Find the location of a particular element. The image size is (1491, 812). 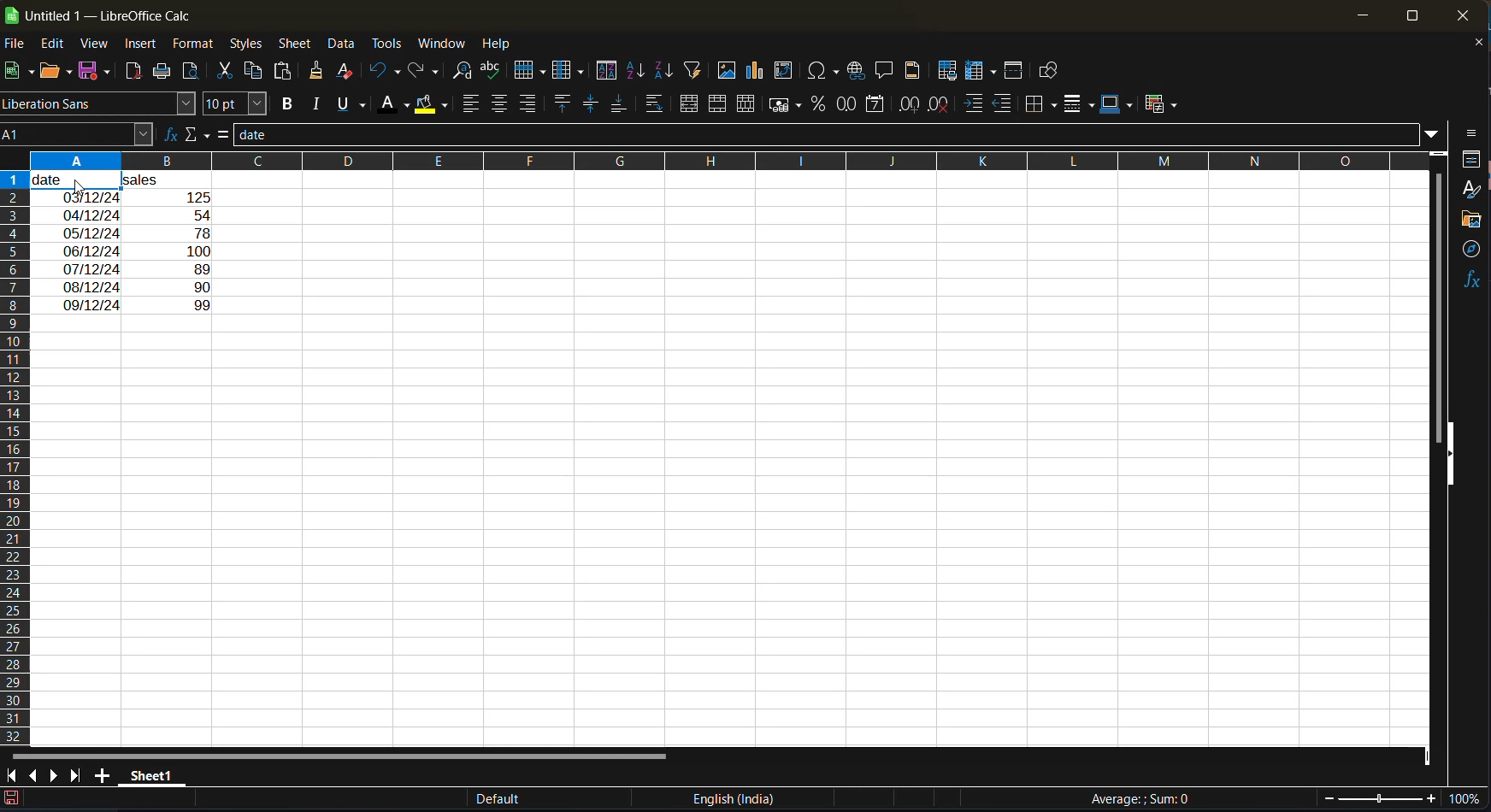

autofilter is located at coordinates (691, 71).